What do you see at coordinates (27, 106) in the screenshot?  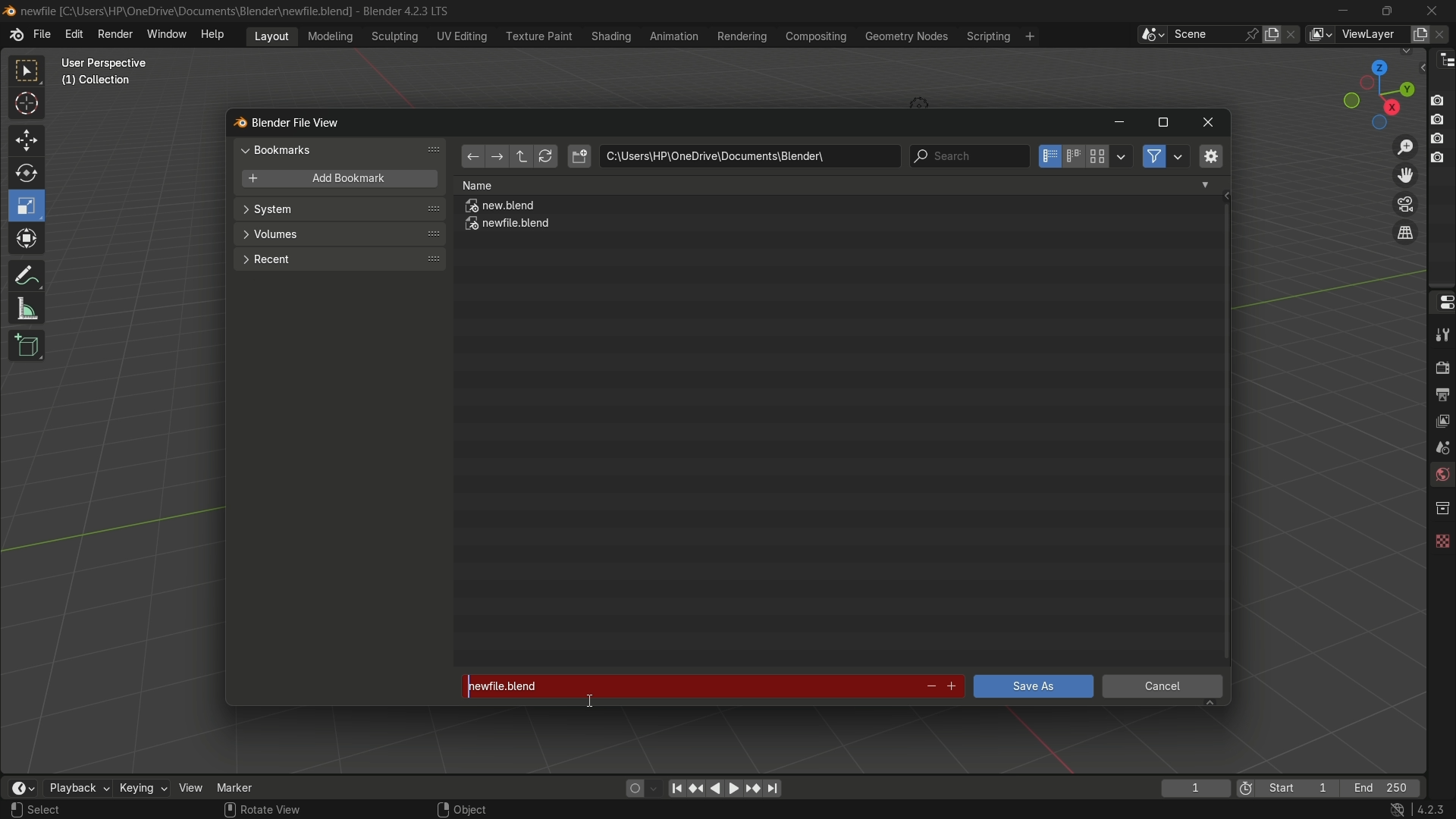 I see `cursor` at bounding box center [27, 106].